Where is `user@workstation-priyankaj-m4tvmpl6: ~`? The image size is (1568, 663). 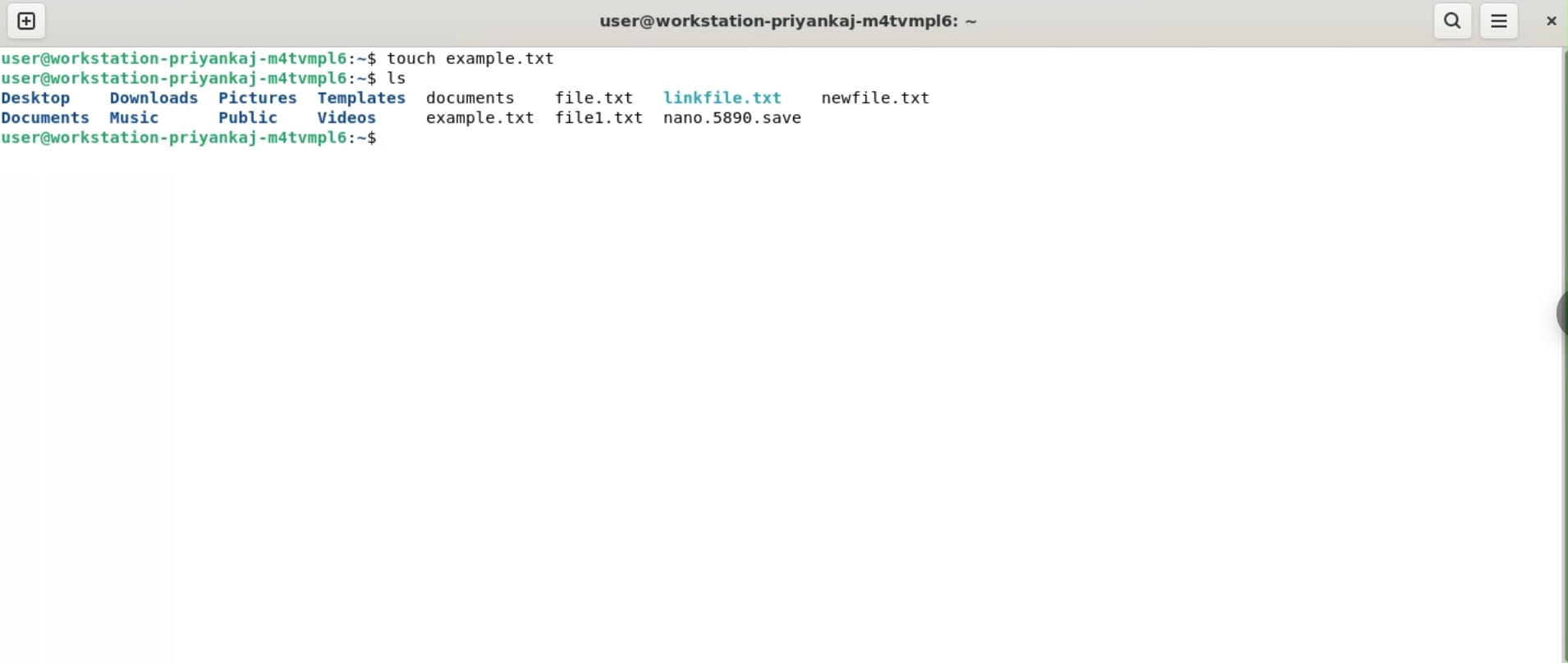 user@workstation-priyankaj-m4tvmpl6: ~ is located at coordinates (787, 21).